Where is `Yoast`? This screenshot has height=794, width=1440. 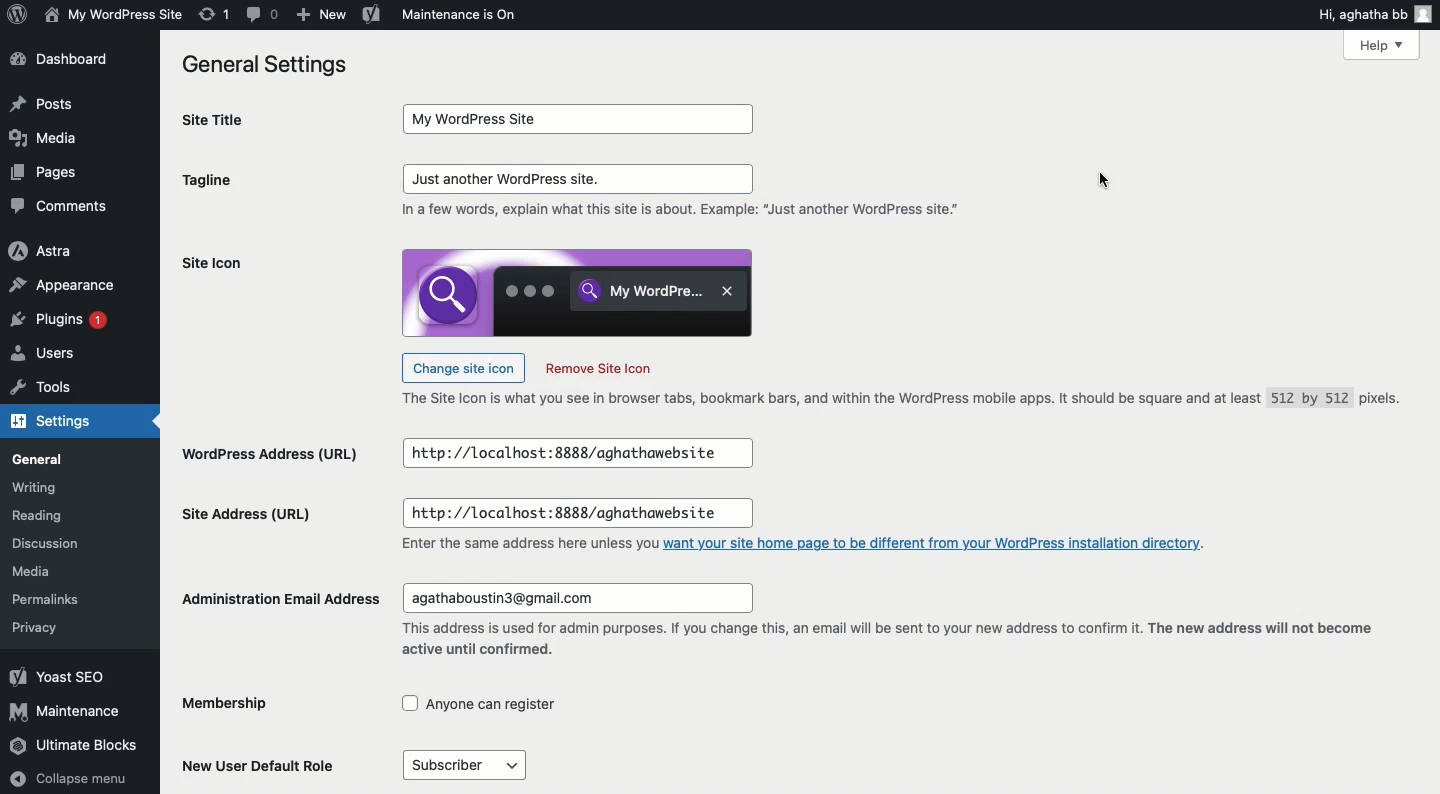
Yoast is located at coordinates (372, 13).